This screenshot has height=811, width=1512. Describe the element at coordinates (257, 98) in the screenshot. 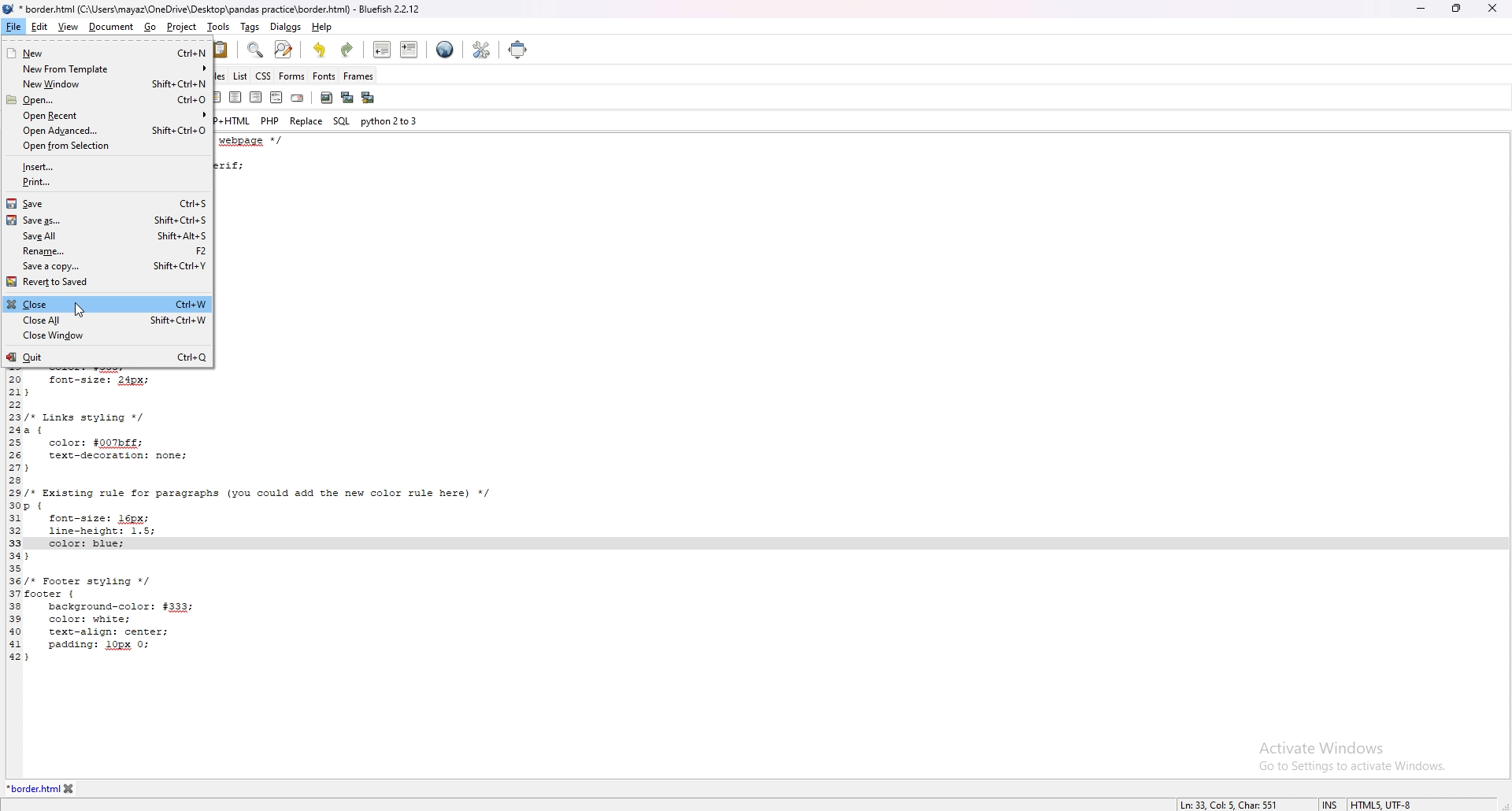

I see `right justify` at that location.